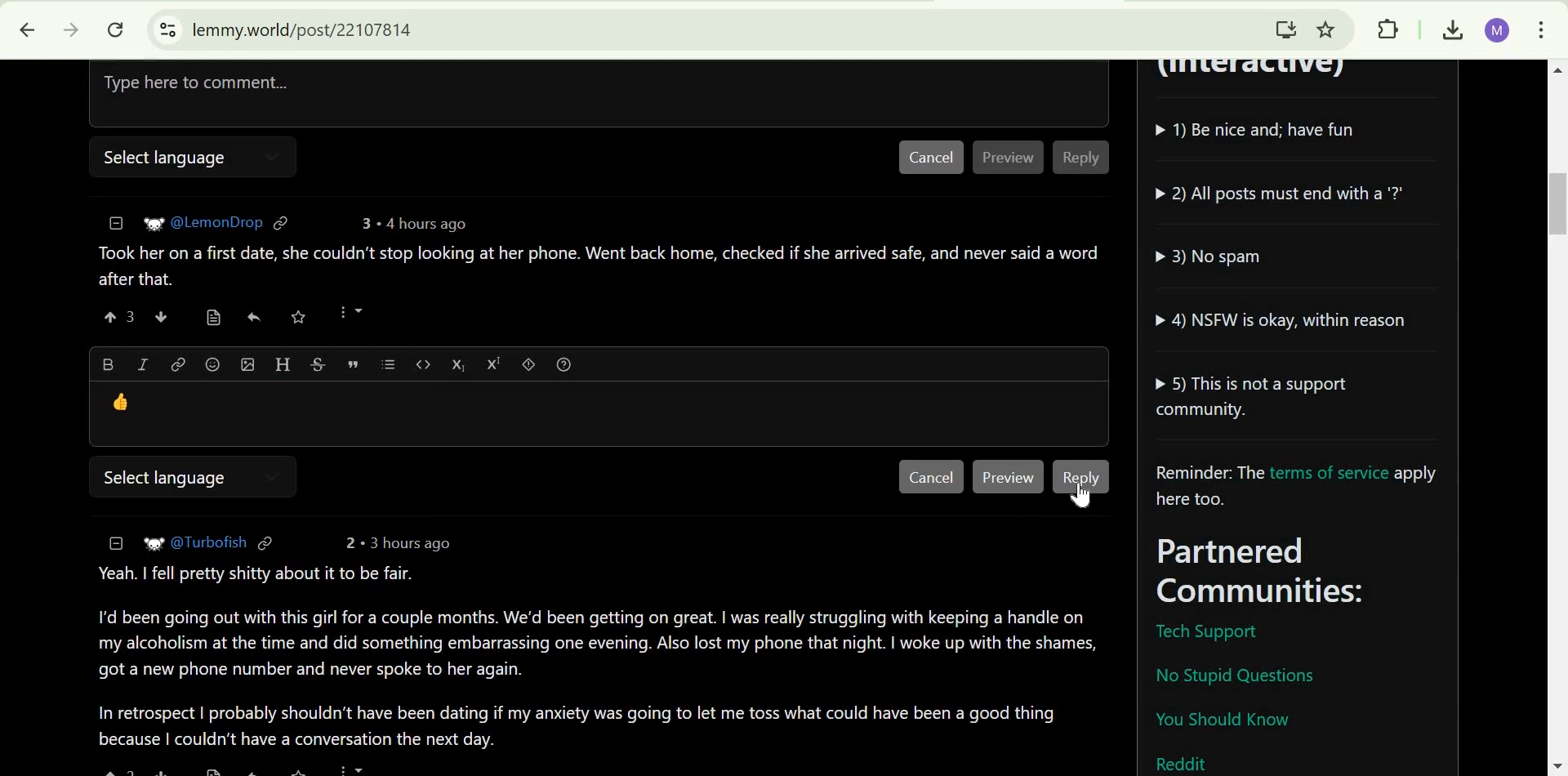  Describe the element at coordinates (121, 316) in the screenshot. I see `upvote` at that location.